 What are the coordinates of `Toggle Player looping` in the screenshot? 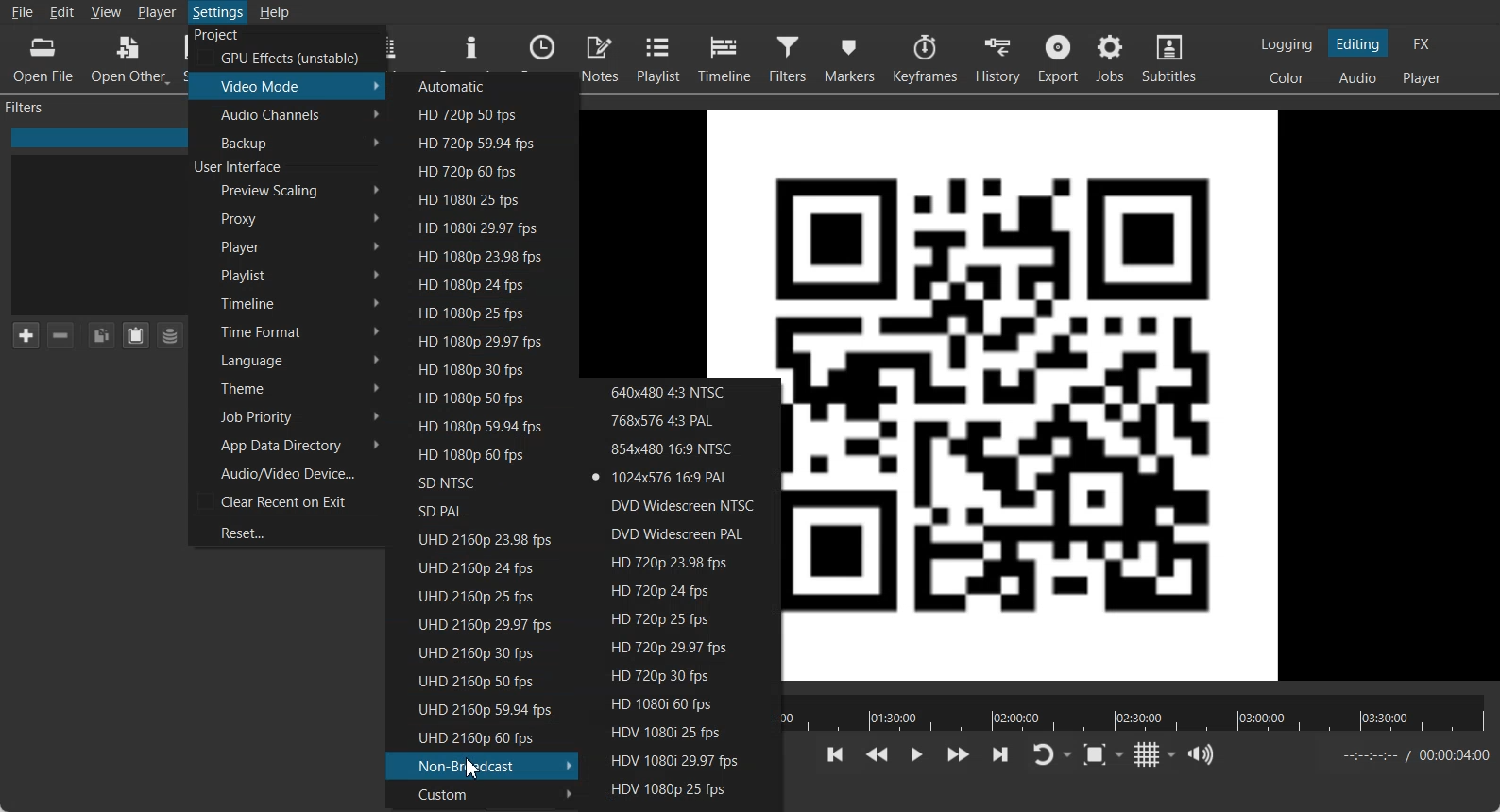 It's located at (1051, 755).